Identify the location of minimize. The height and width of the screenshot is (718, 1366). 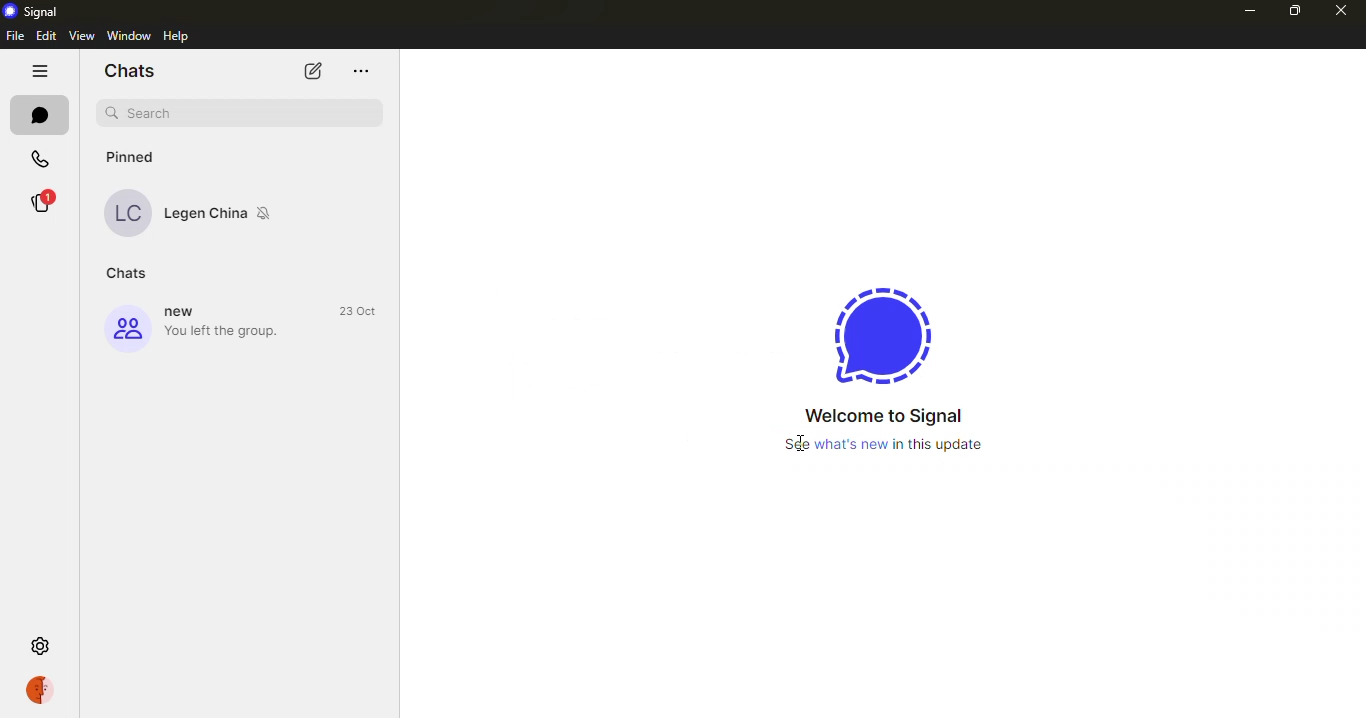
(1247, 10).